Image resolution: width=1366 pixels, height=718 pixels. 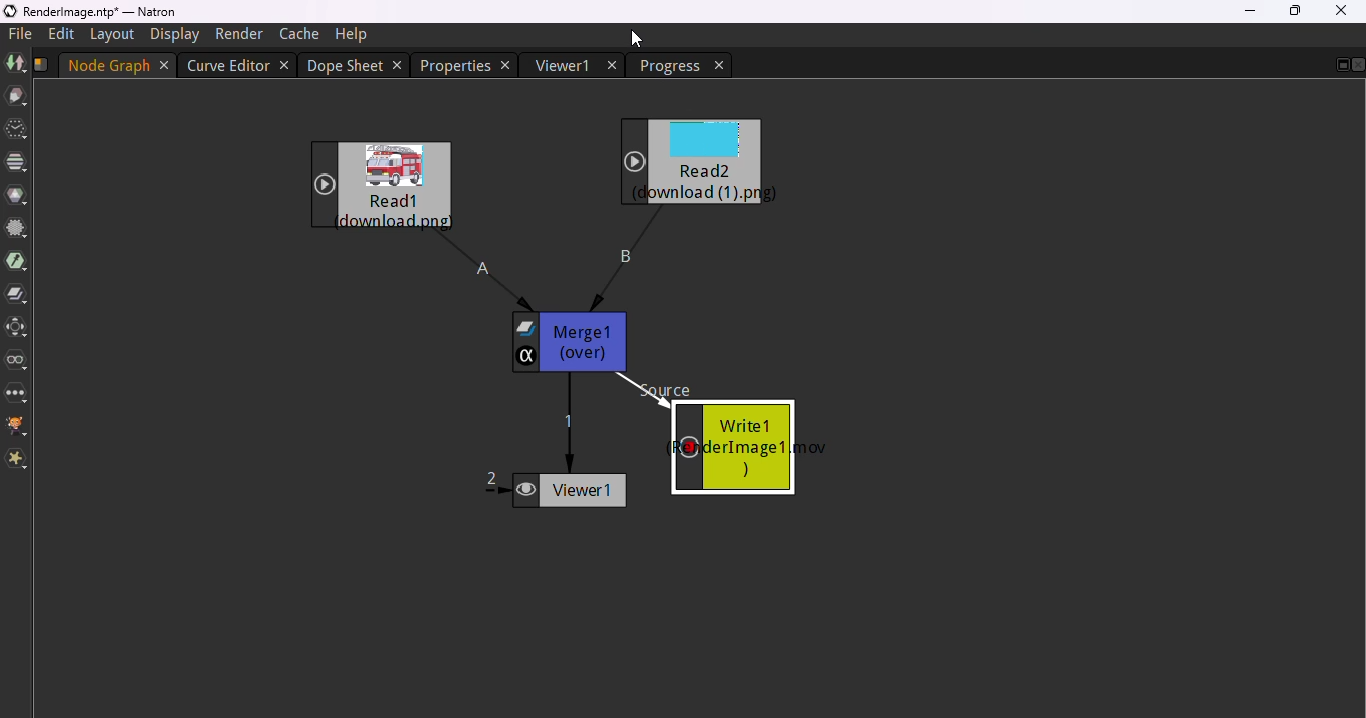 What do you see at coordinates (111, 34) in the screenshot?
I see `layout` at bounding box center [111, 34].